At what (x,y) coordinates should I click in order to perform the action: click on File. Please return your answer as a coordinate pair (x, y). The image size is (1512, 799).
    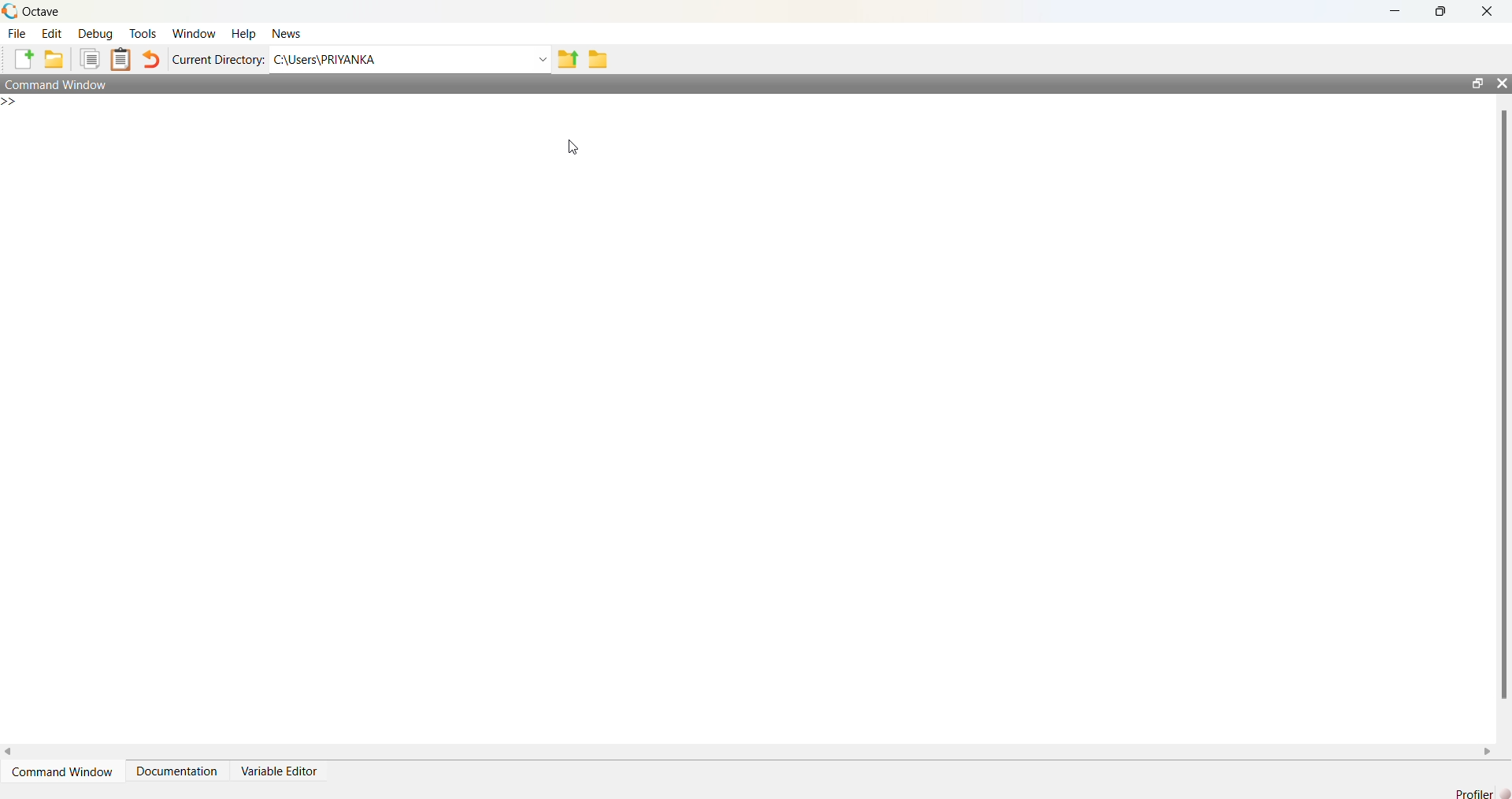
    Looking at the image, I should click on (18, 33).